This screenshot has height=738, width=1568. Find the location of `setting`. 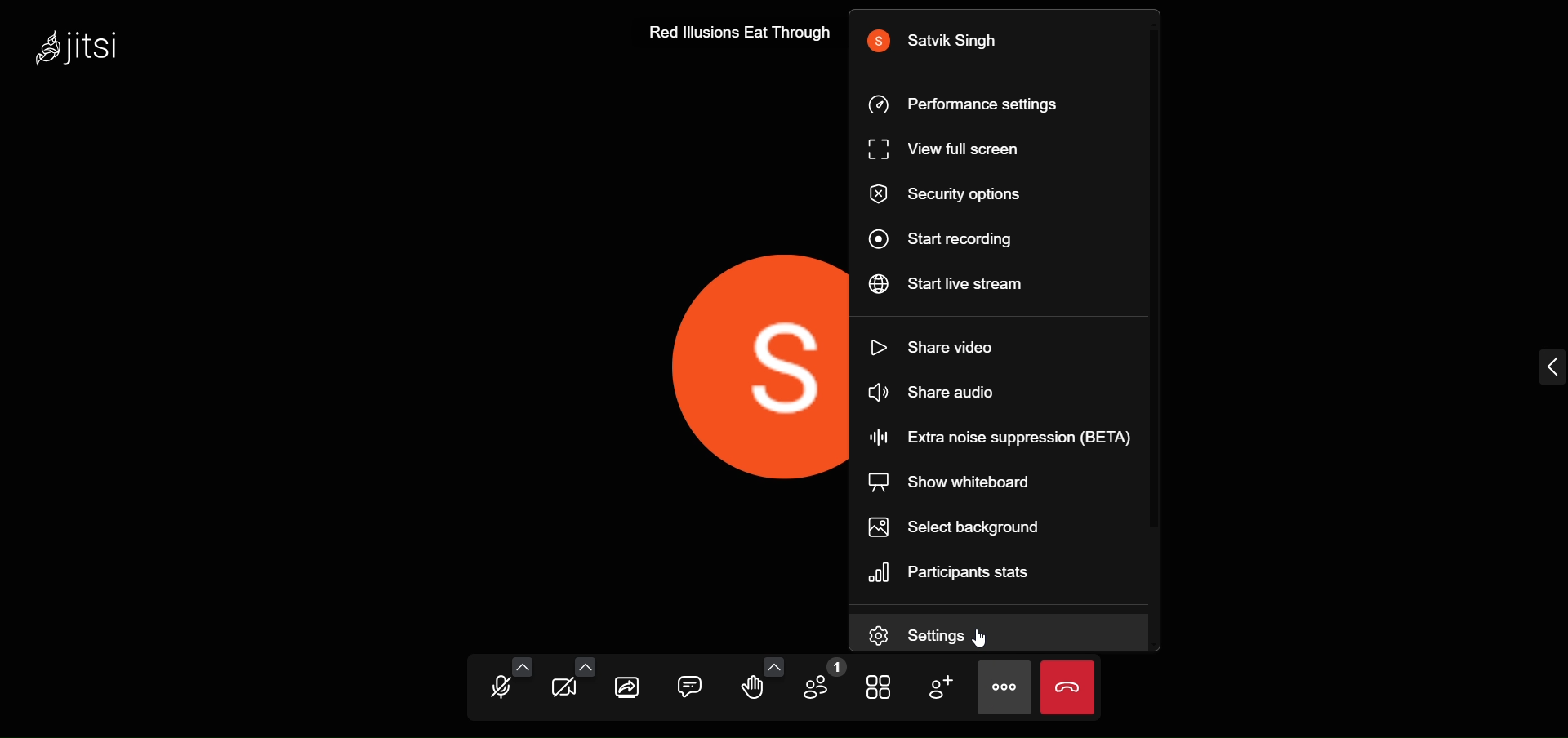

setting is located at coordinates (940, 634).